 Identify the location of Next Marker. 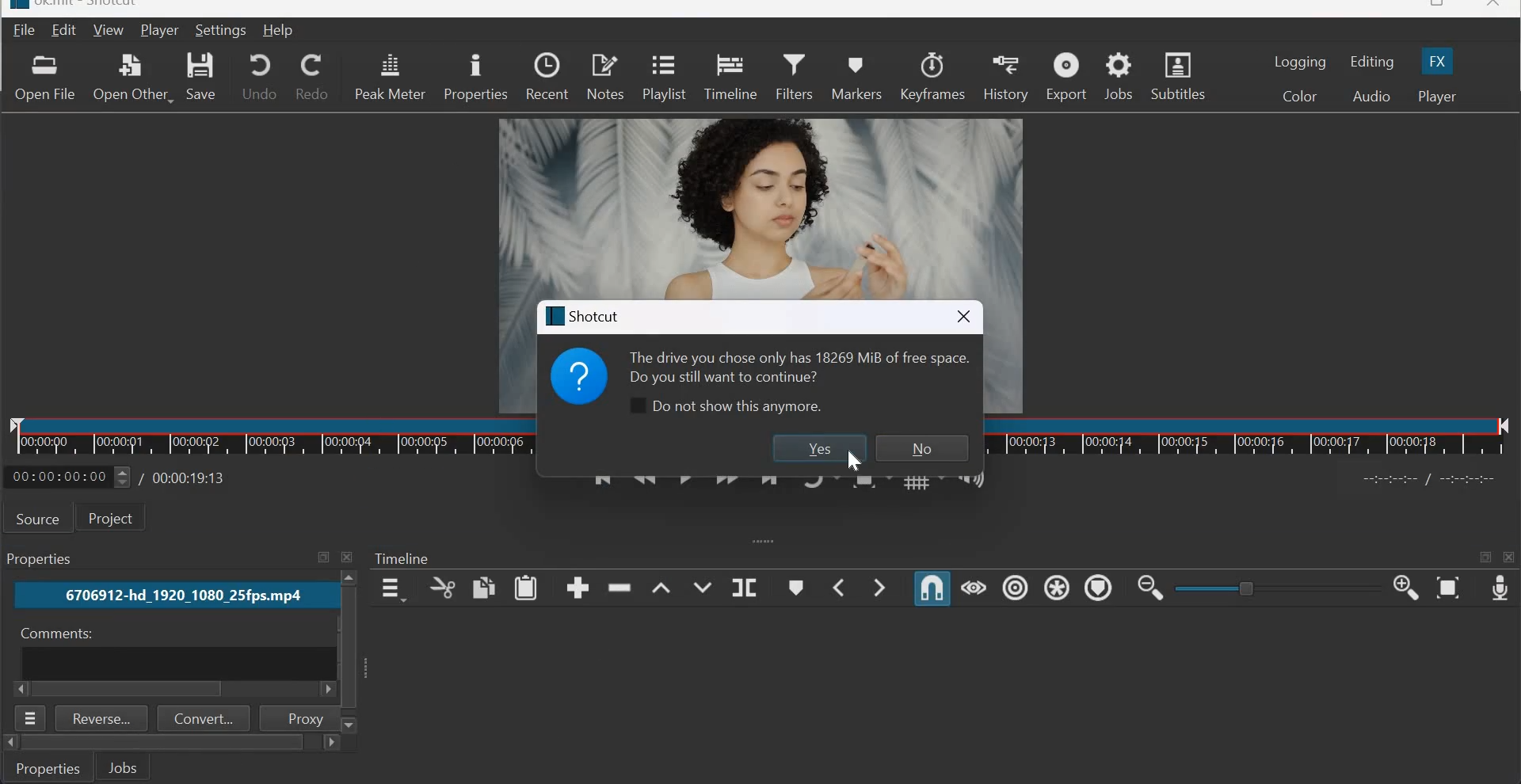
(882, 586).